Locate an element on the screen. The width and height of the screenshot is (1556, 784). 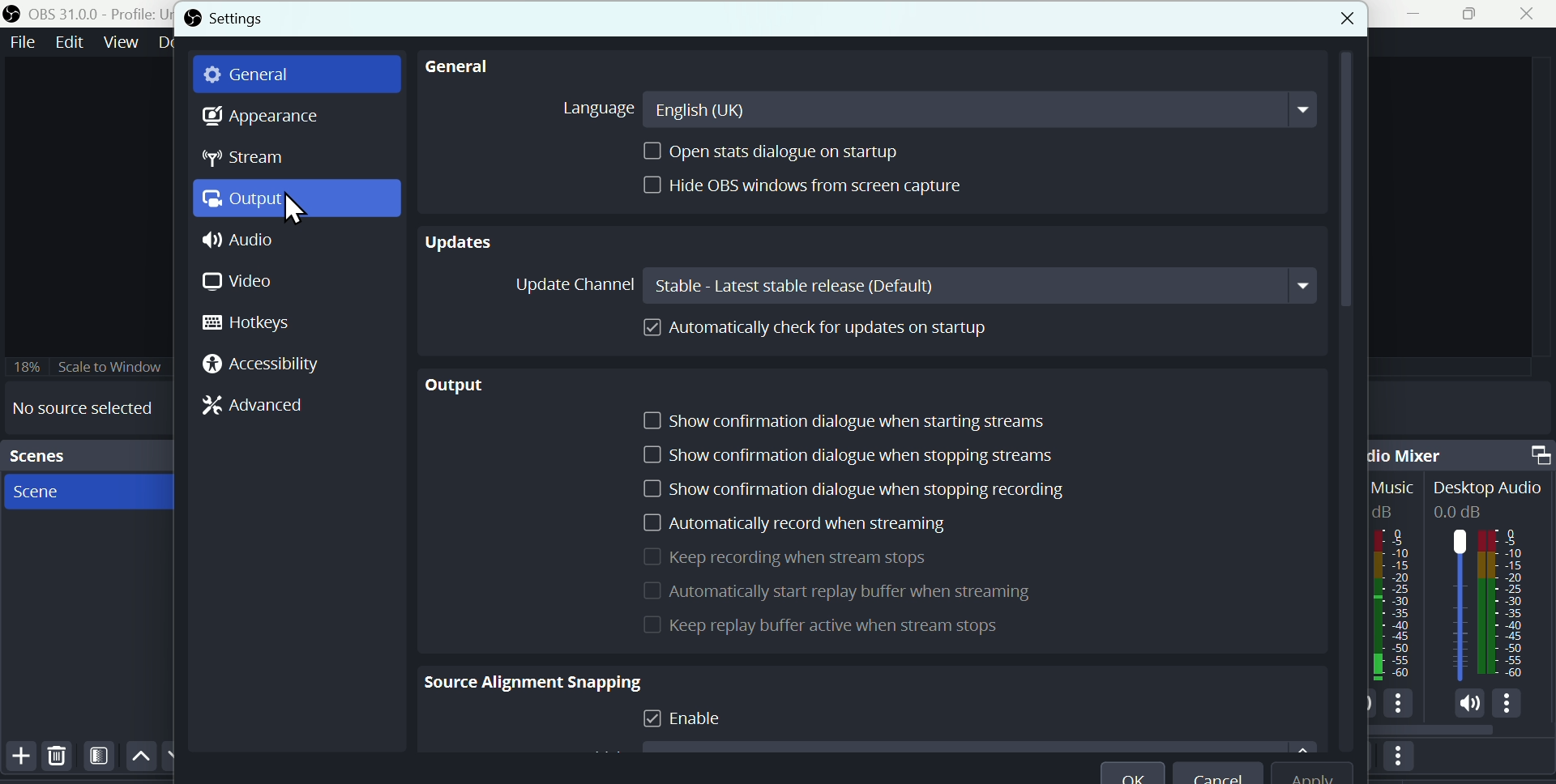
Open stats dialogue on startup is located at coordinates (778, 152).